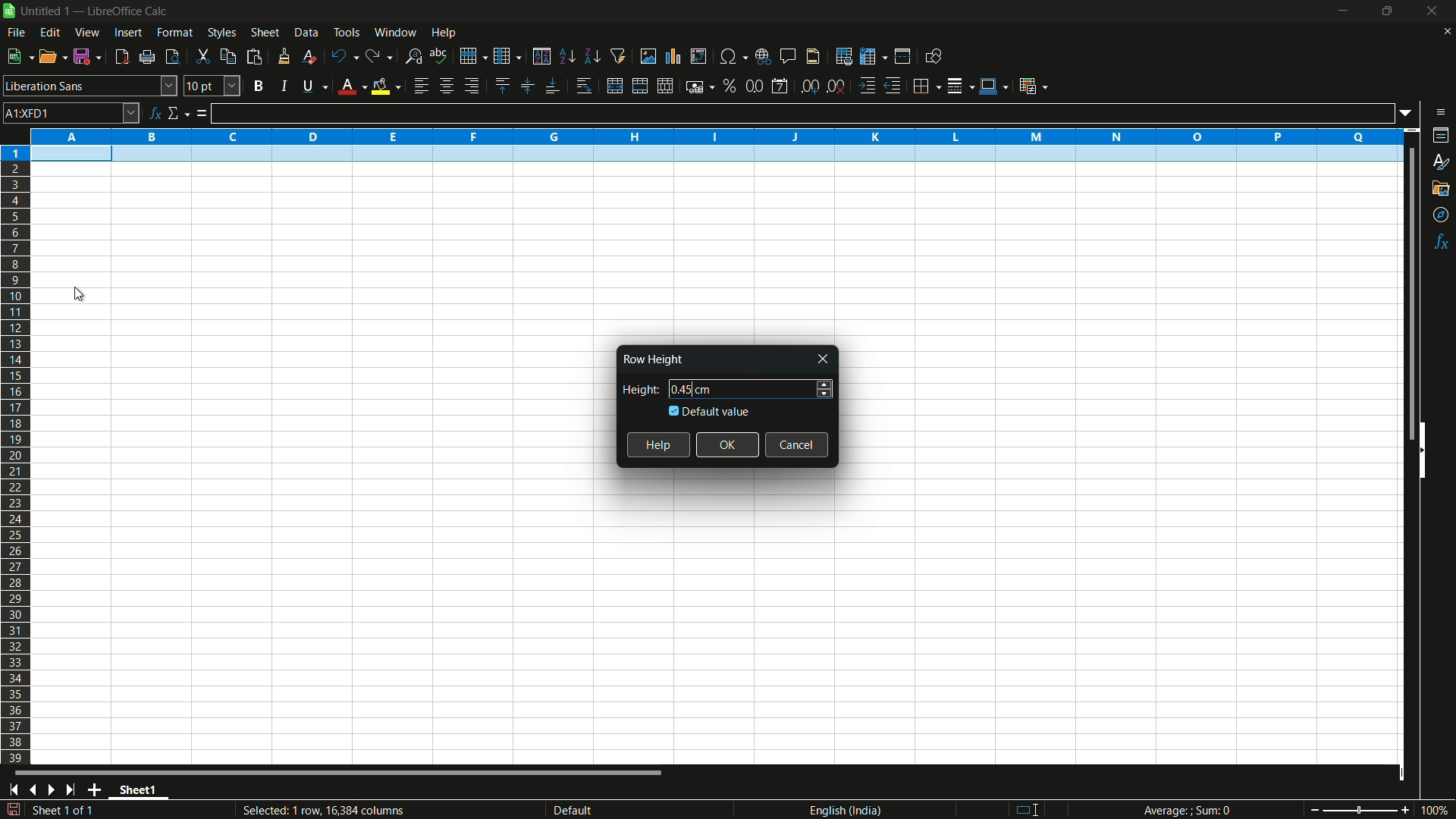 This screenshot has height=819, width=1456. Describe the element at coordinates (420, 86) in the screenshot. I see `align left` at that location.